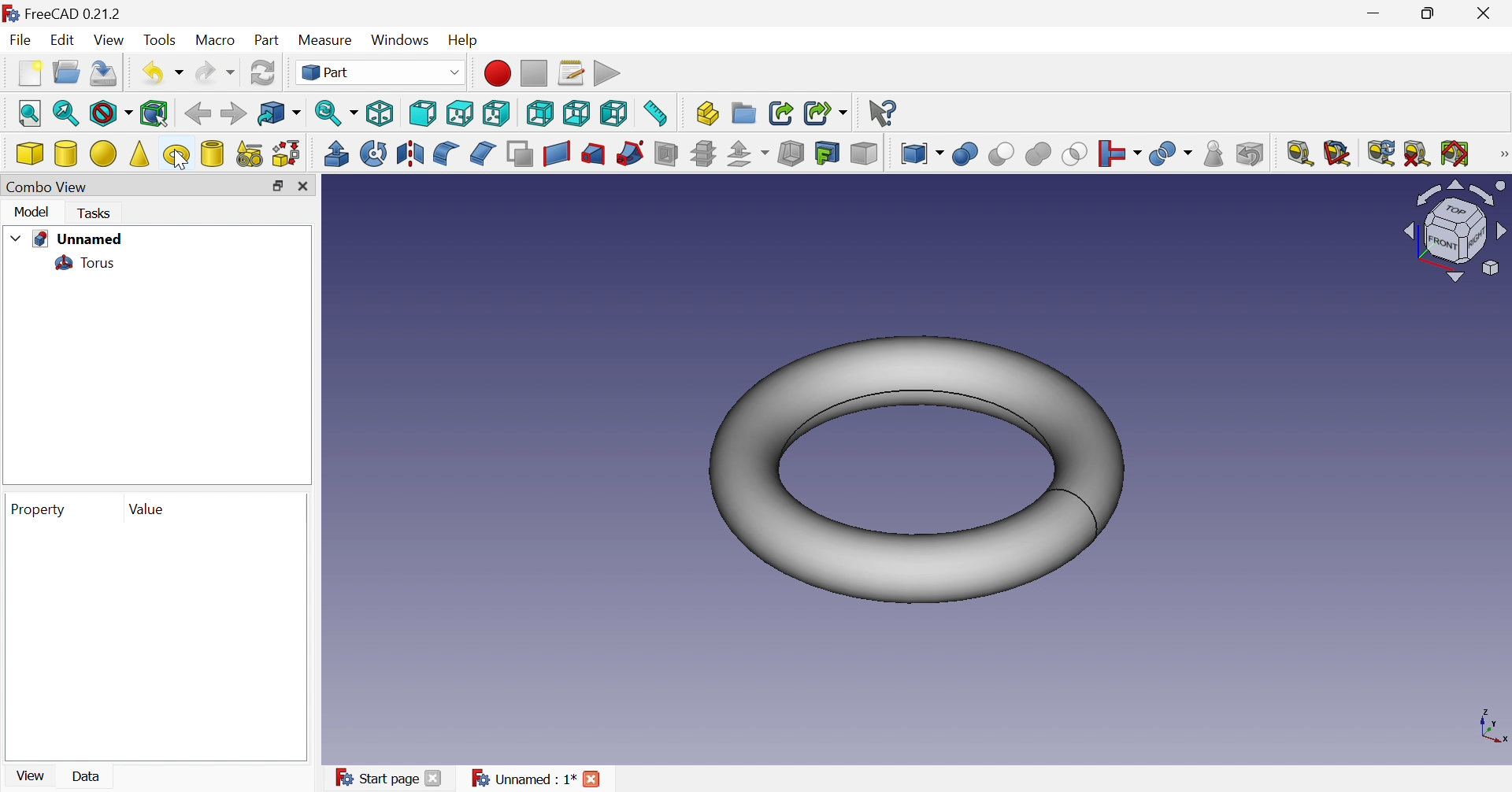 Image resolution: width=1512 pixels, height=792 pixels. Describe the element at coordinates (326, 42) in the screenshot. I see `Measure` at that location.